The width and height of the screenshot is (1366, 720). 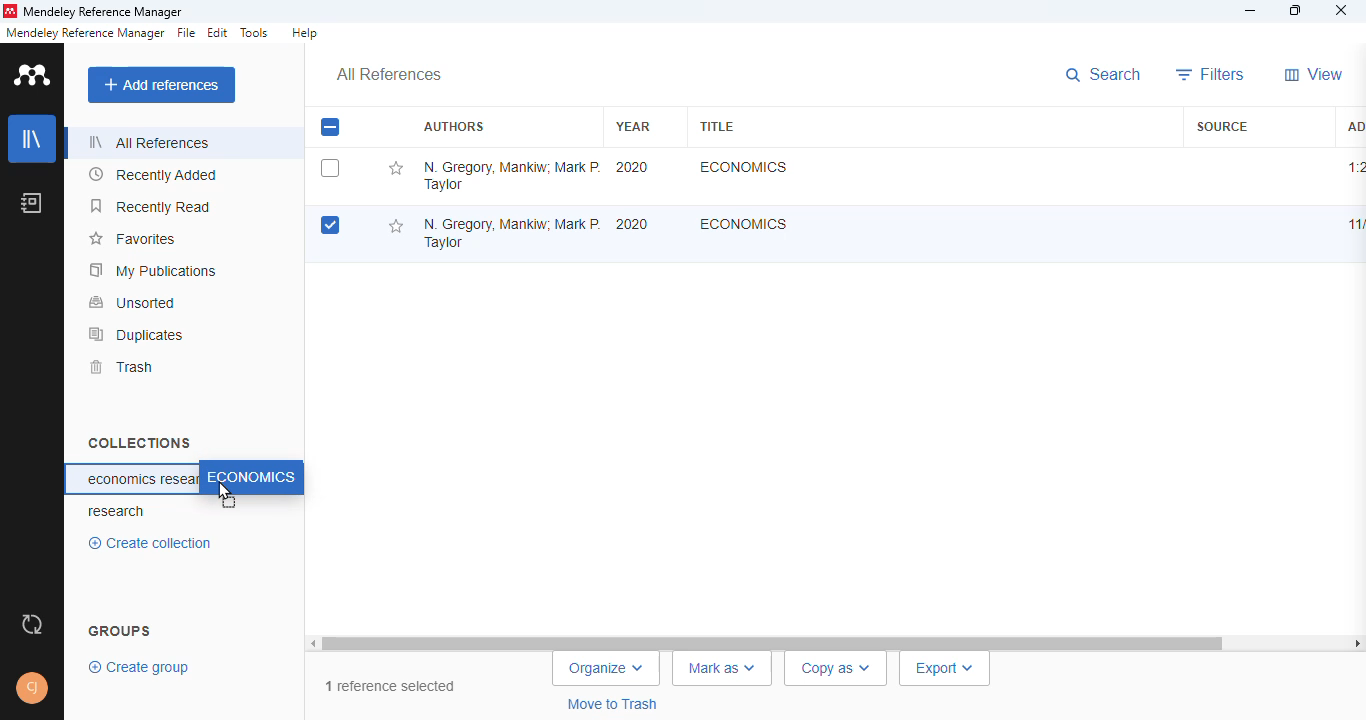 I want to click on logo, so click(x=34, y=74).